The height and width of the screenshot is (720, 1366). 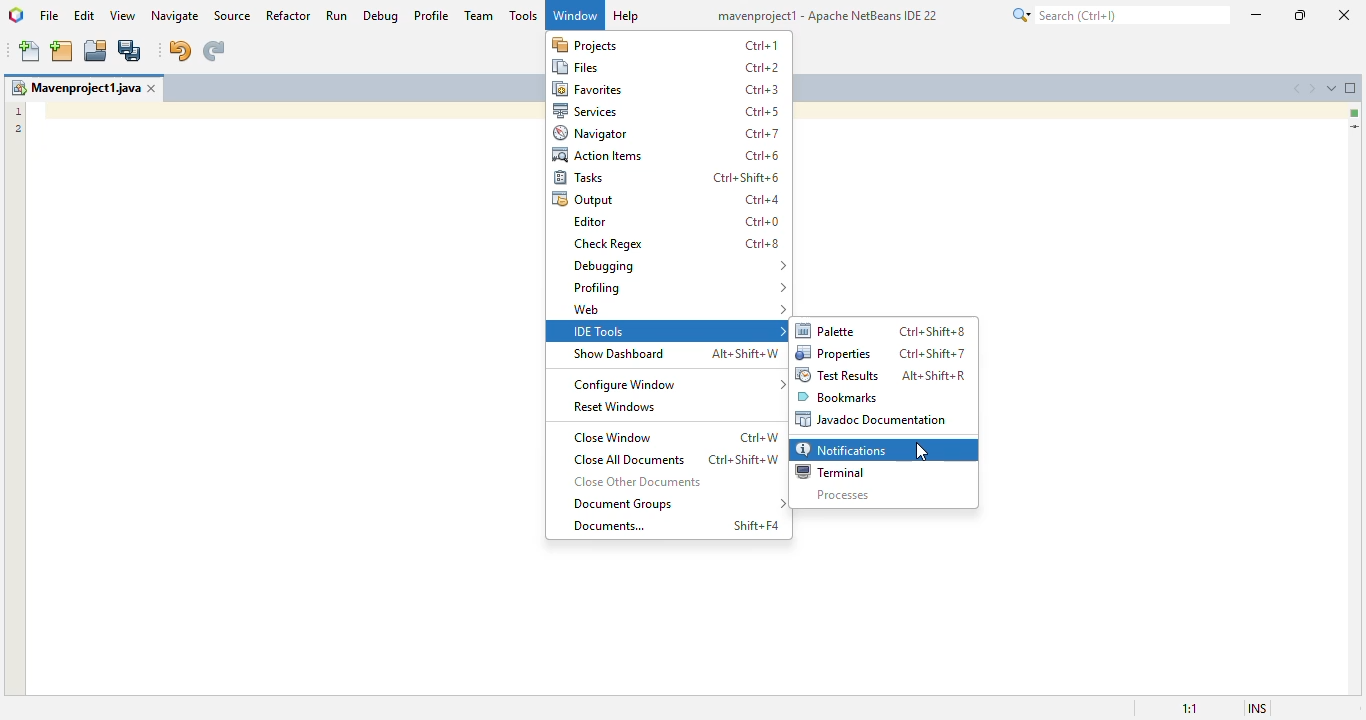 What do you see at coordinates (680, 287) in the screenshot?
I see `profiling` at bounding box center [680, 287].